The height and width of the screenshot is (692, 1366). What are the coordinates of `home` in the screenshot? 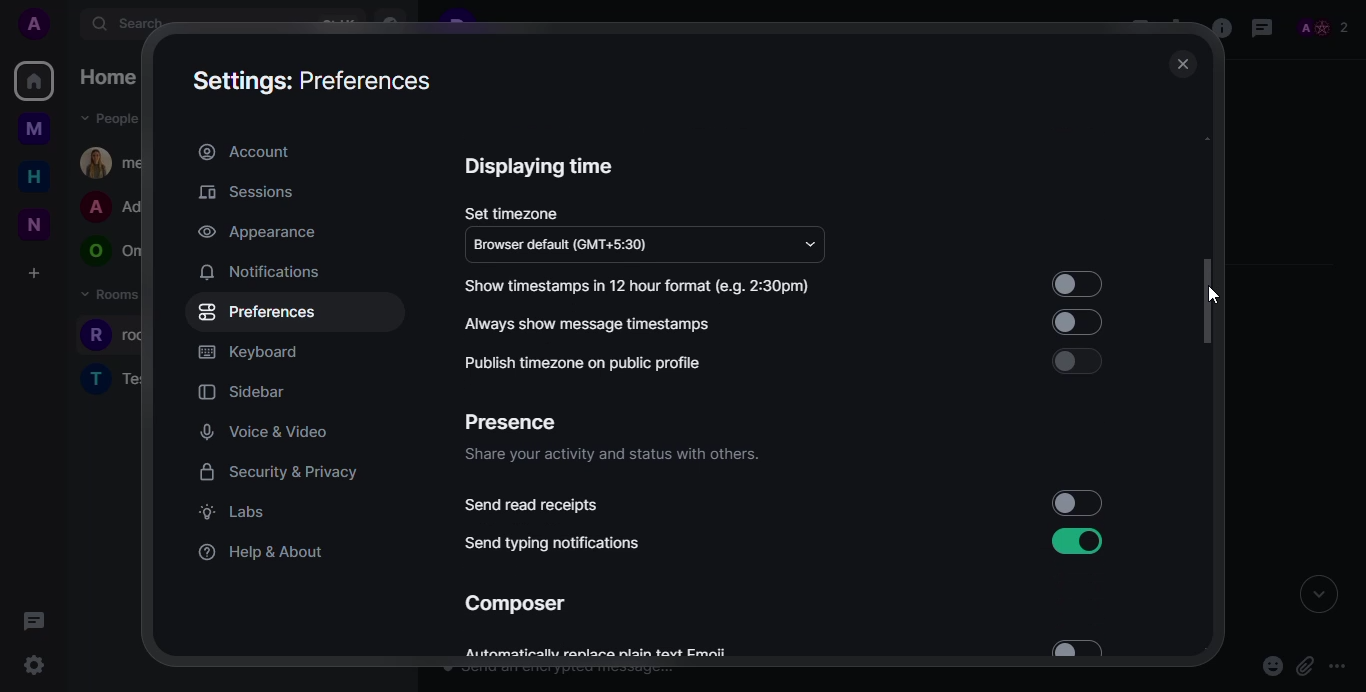 It's located at (113, 77).